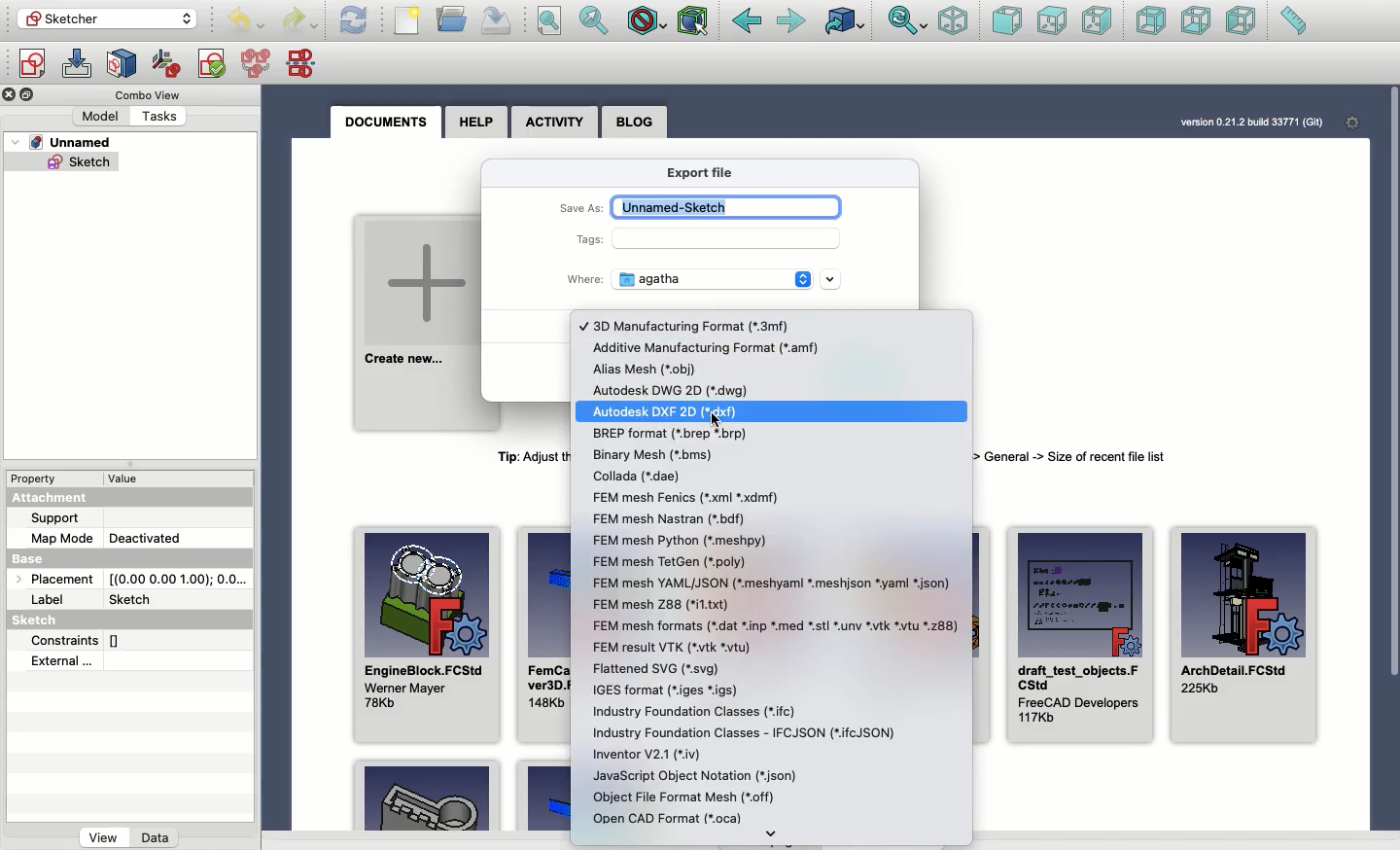 The height and width of the screenshot is (850, 1400). Describe the element at coordinates (652, 456) in the screenshot. I see `Binary mesh` at that location.